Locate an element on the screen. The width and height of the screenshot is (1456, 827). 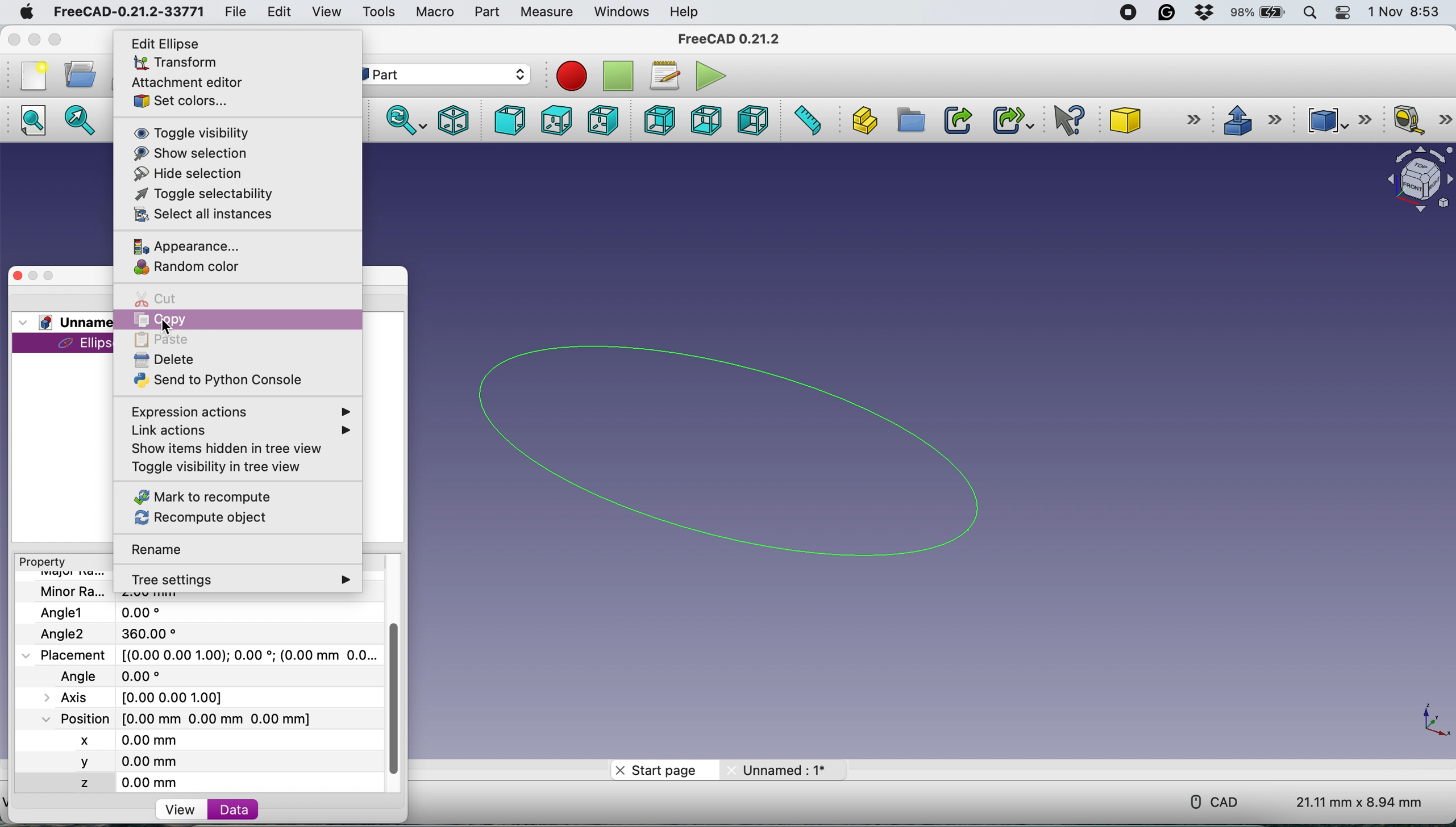
delete is located at coordinates (164, 360).